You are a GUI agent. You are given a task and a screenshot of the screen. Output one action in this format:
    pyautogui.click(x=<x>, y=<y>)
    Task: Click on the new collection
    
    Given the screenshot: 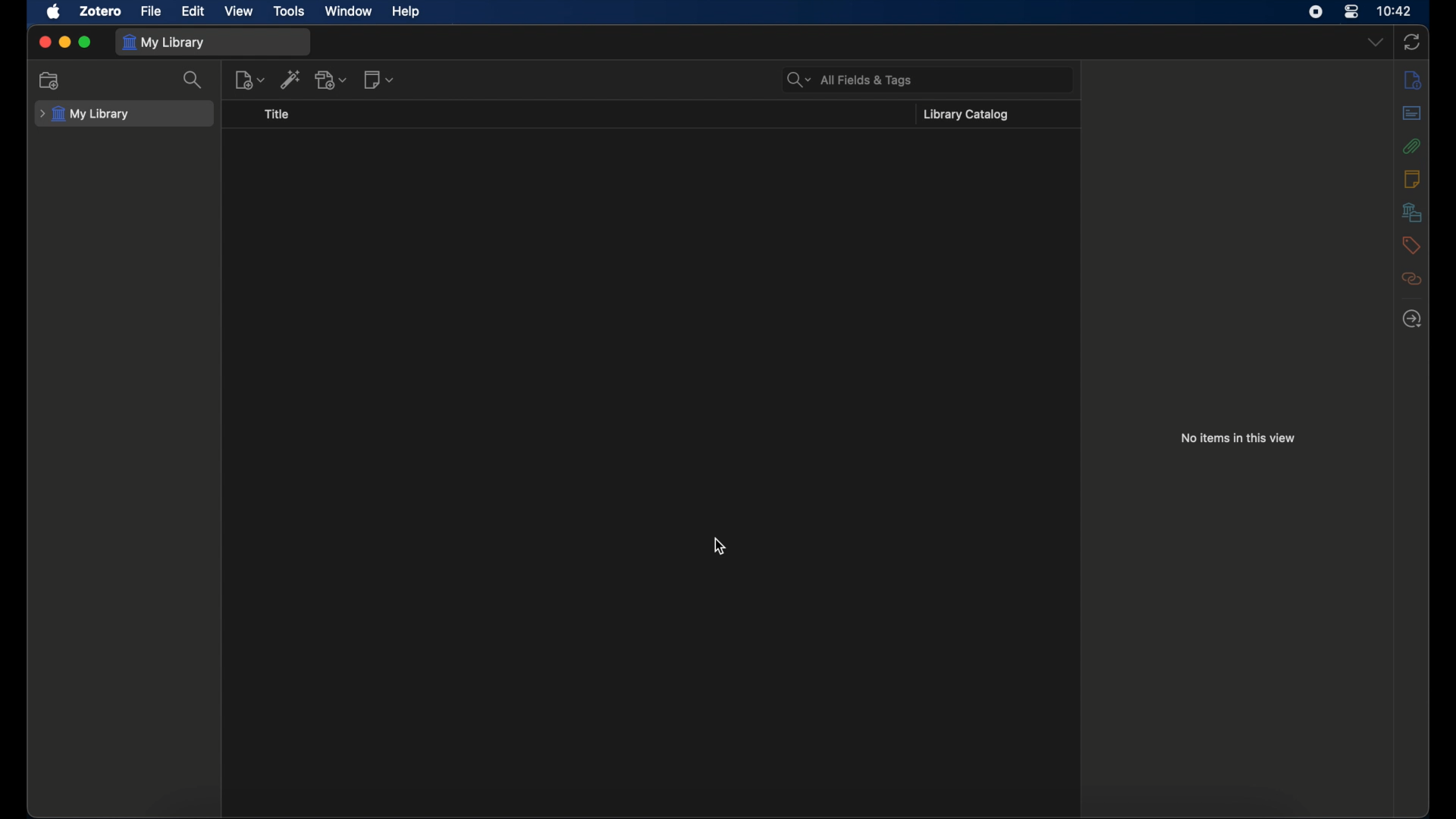 What is the action you would take?
    pyautogui.click(x=49, y=80)
    